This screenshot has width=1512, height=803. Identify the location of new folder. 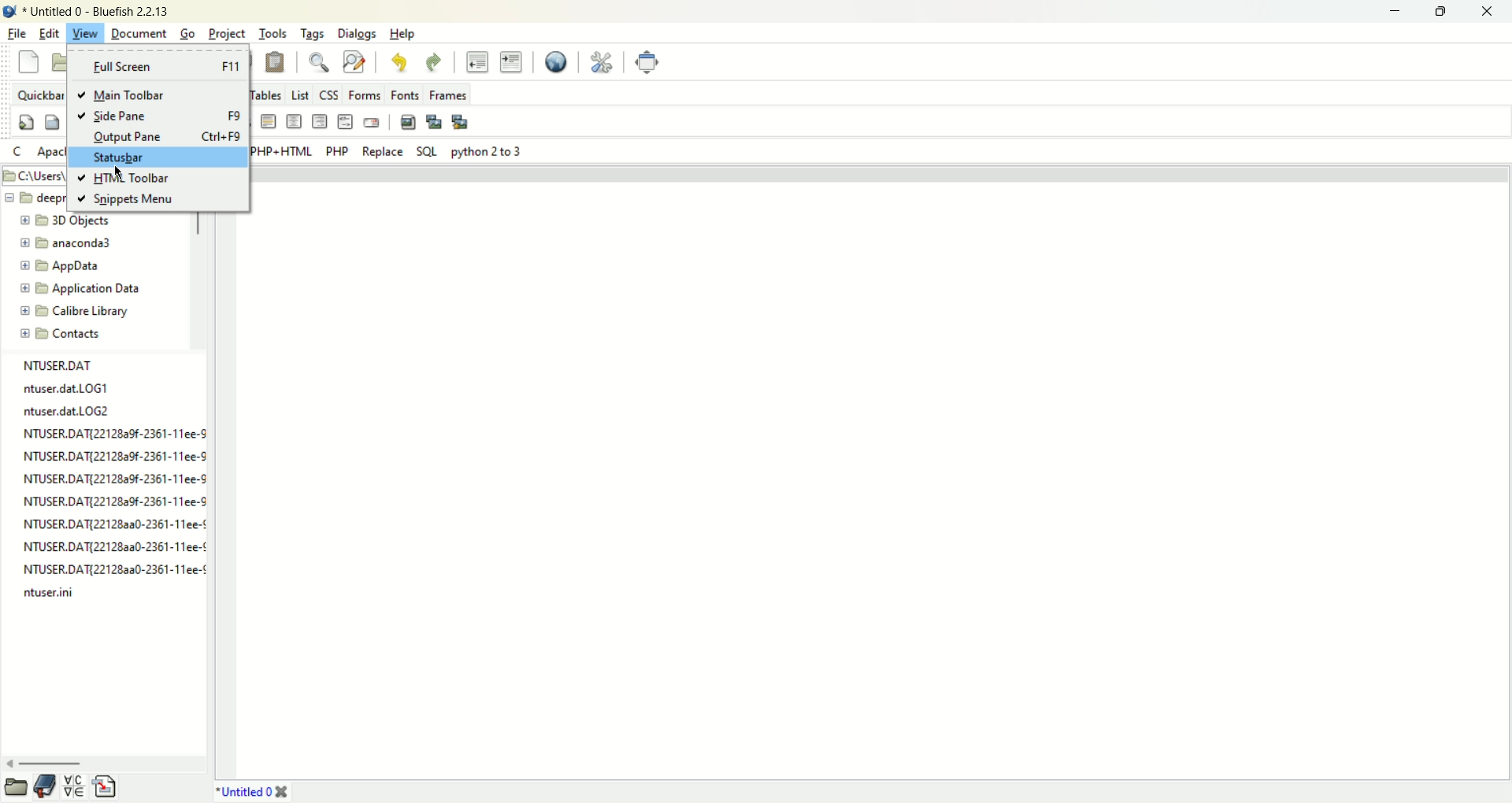
(72, 220).